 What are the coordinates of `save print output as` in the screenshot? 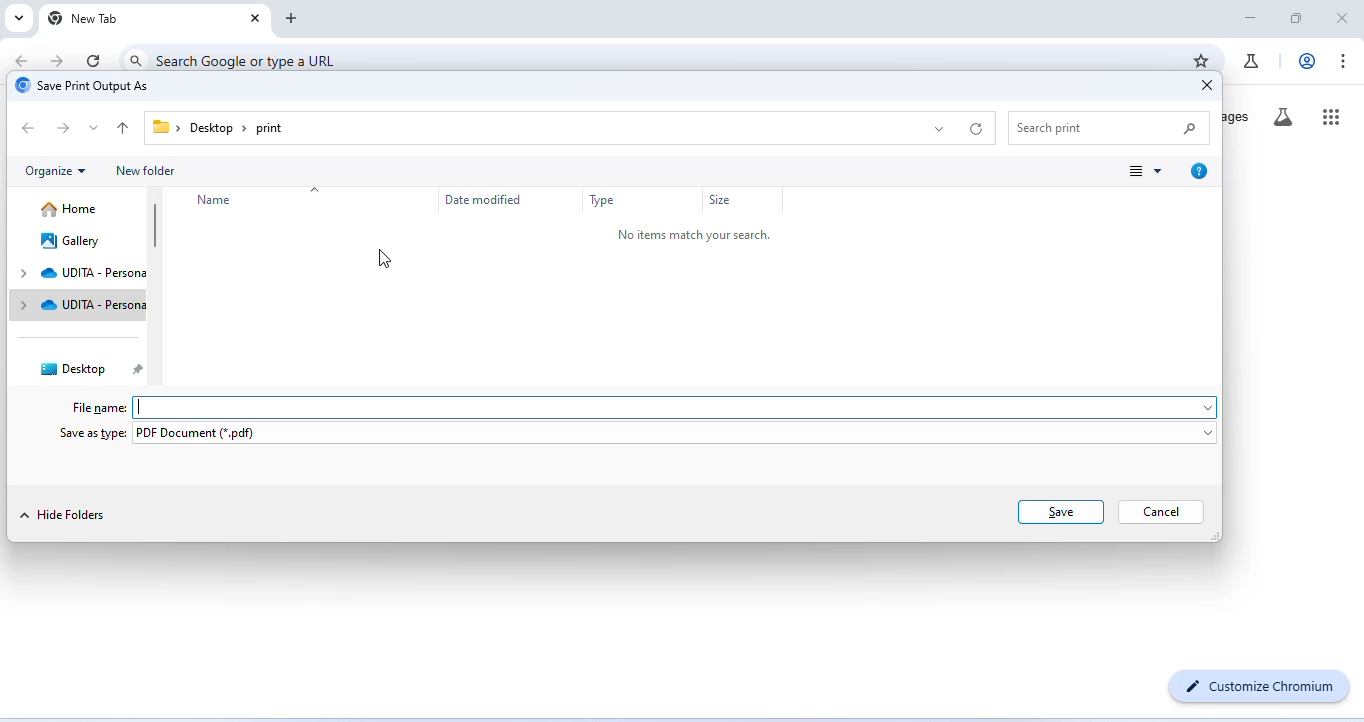 It's located at (82, 87).